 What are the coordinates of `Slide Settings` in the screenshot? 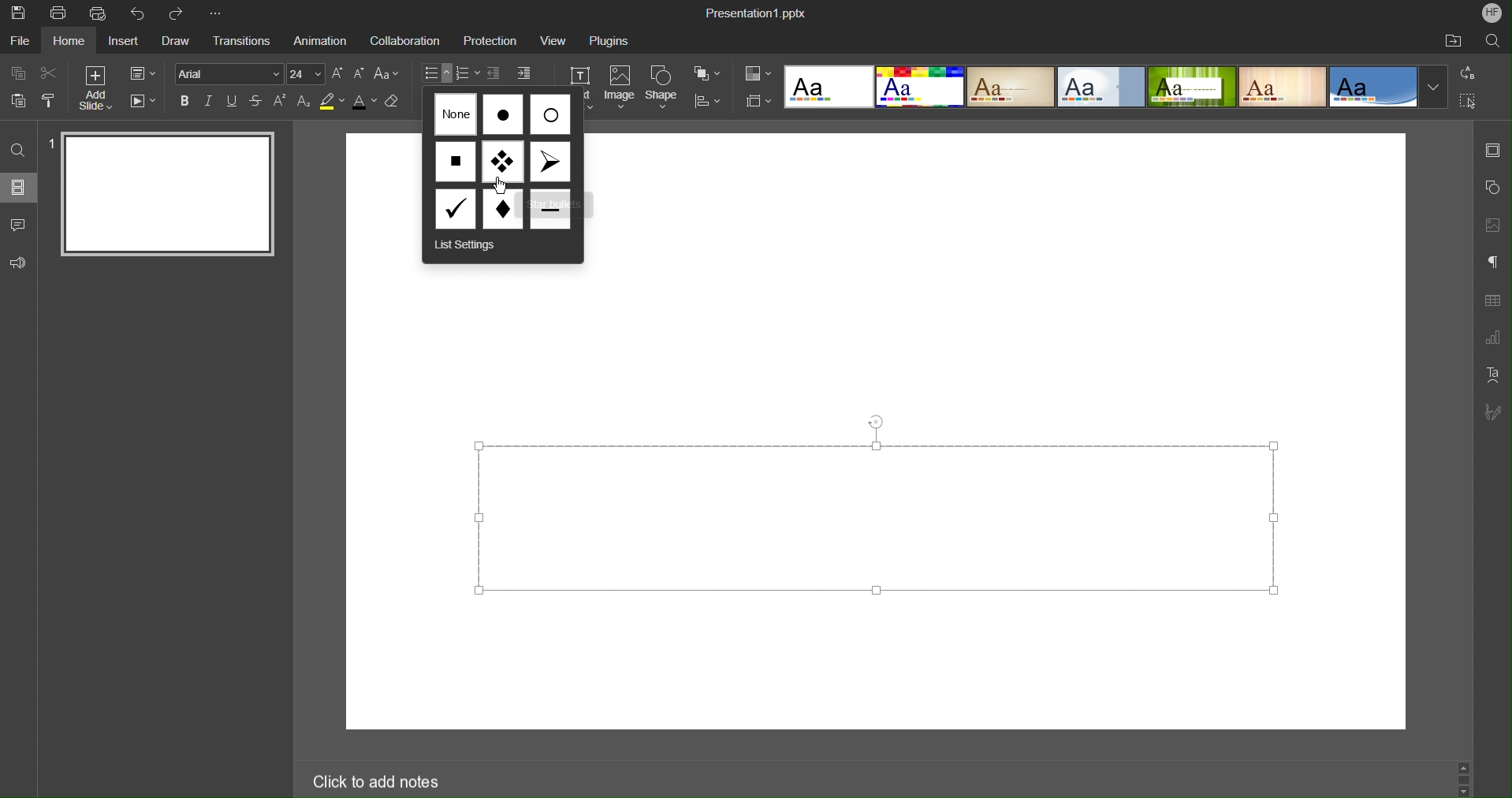 It's located at (1492, 151).